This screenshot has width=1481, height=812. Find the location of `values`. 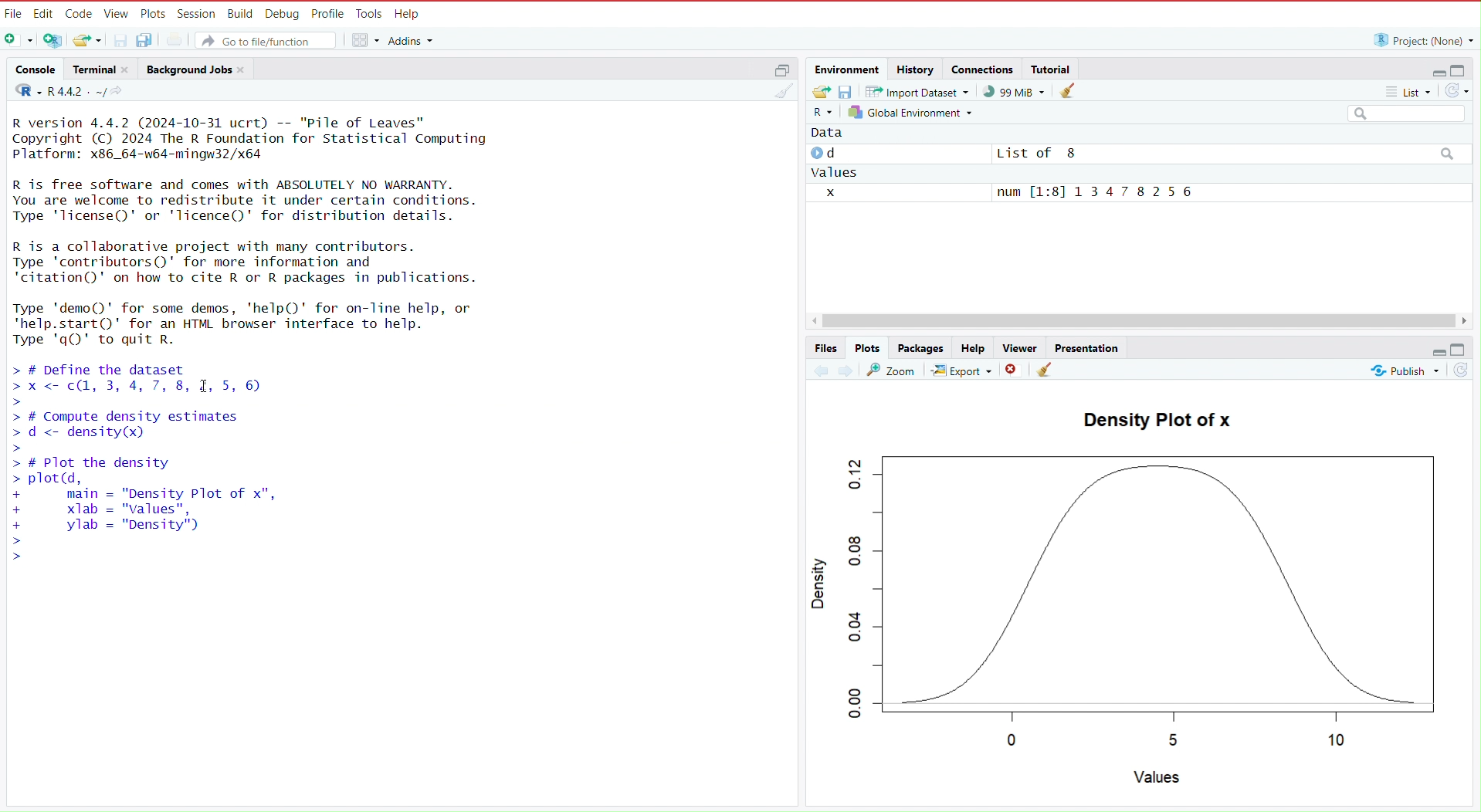

values is located at coordinates (1155, 776).